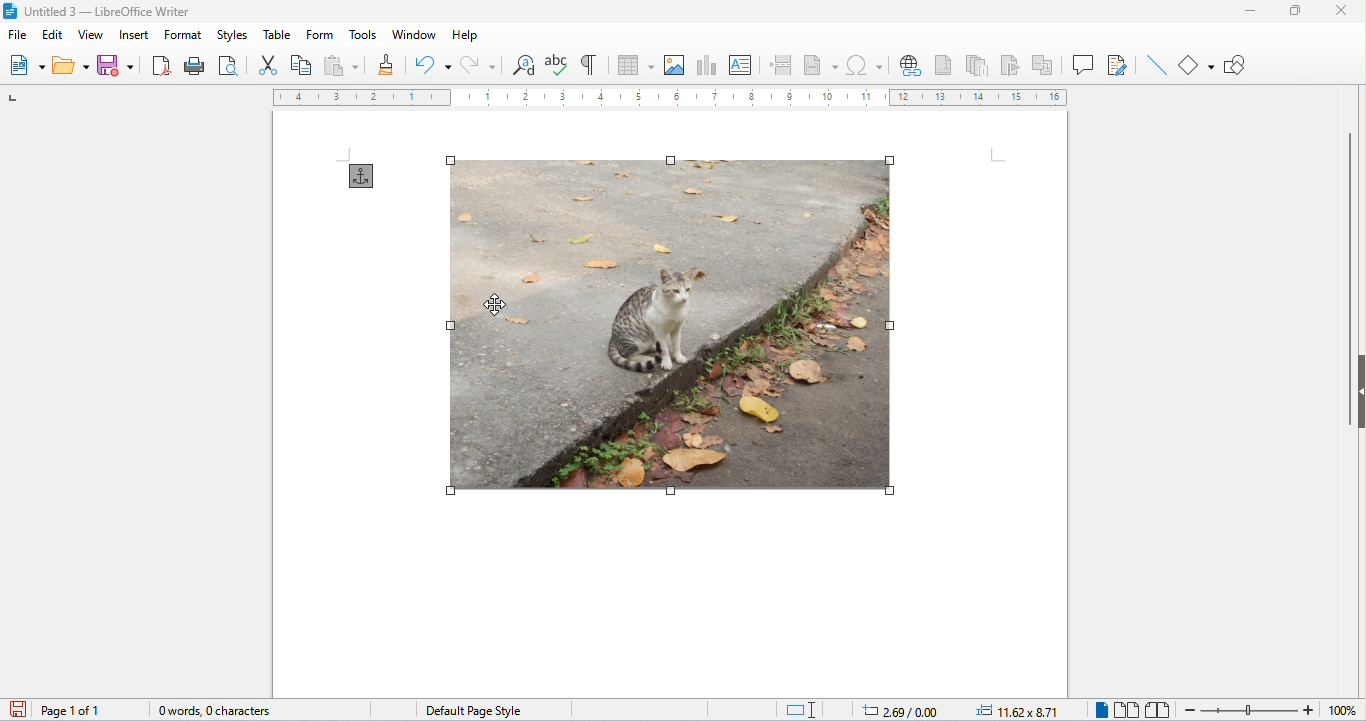 The width and height of the screenshot is (1366, 722). What do you see at coordinates (559, 64) in the screenshot?
I see `spelling` at bounding box center [559, 64].